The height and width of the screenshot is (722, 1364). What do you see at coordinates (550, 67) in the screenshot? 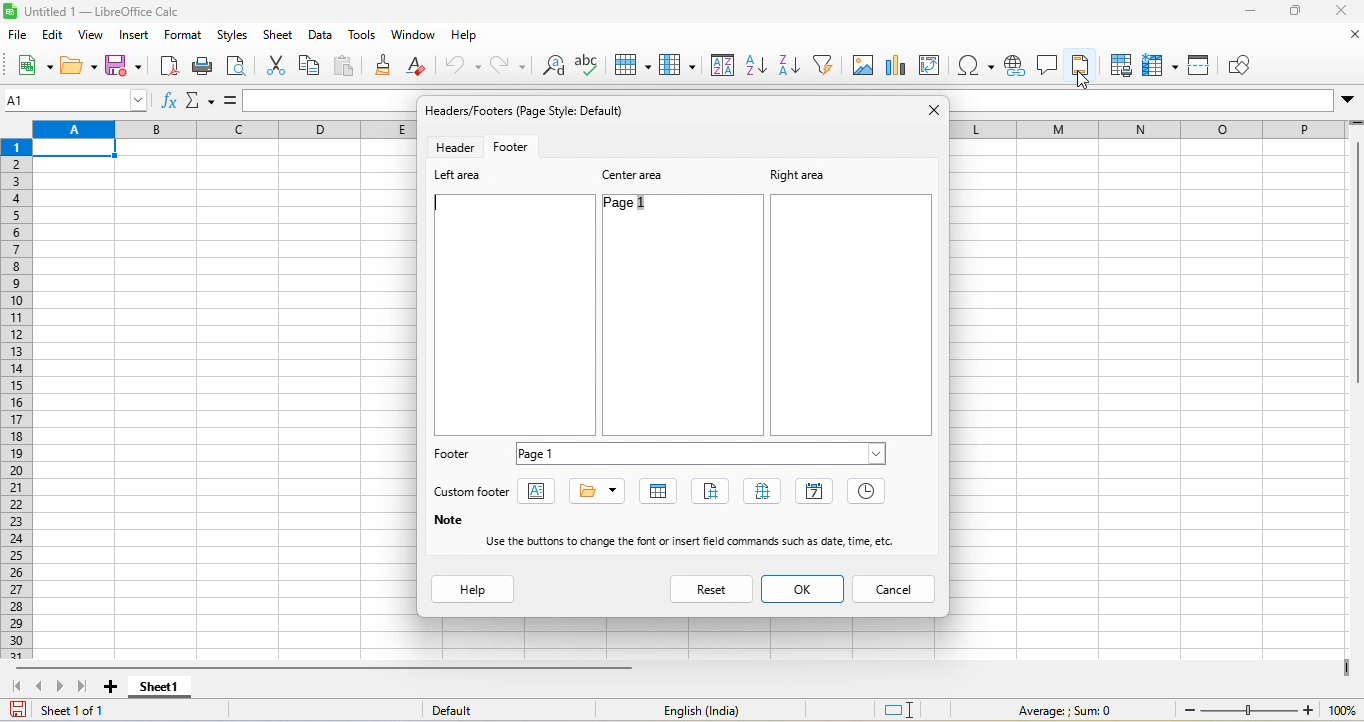
I see `find and replace` at bounding box center [550, 67].